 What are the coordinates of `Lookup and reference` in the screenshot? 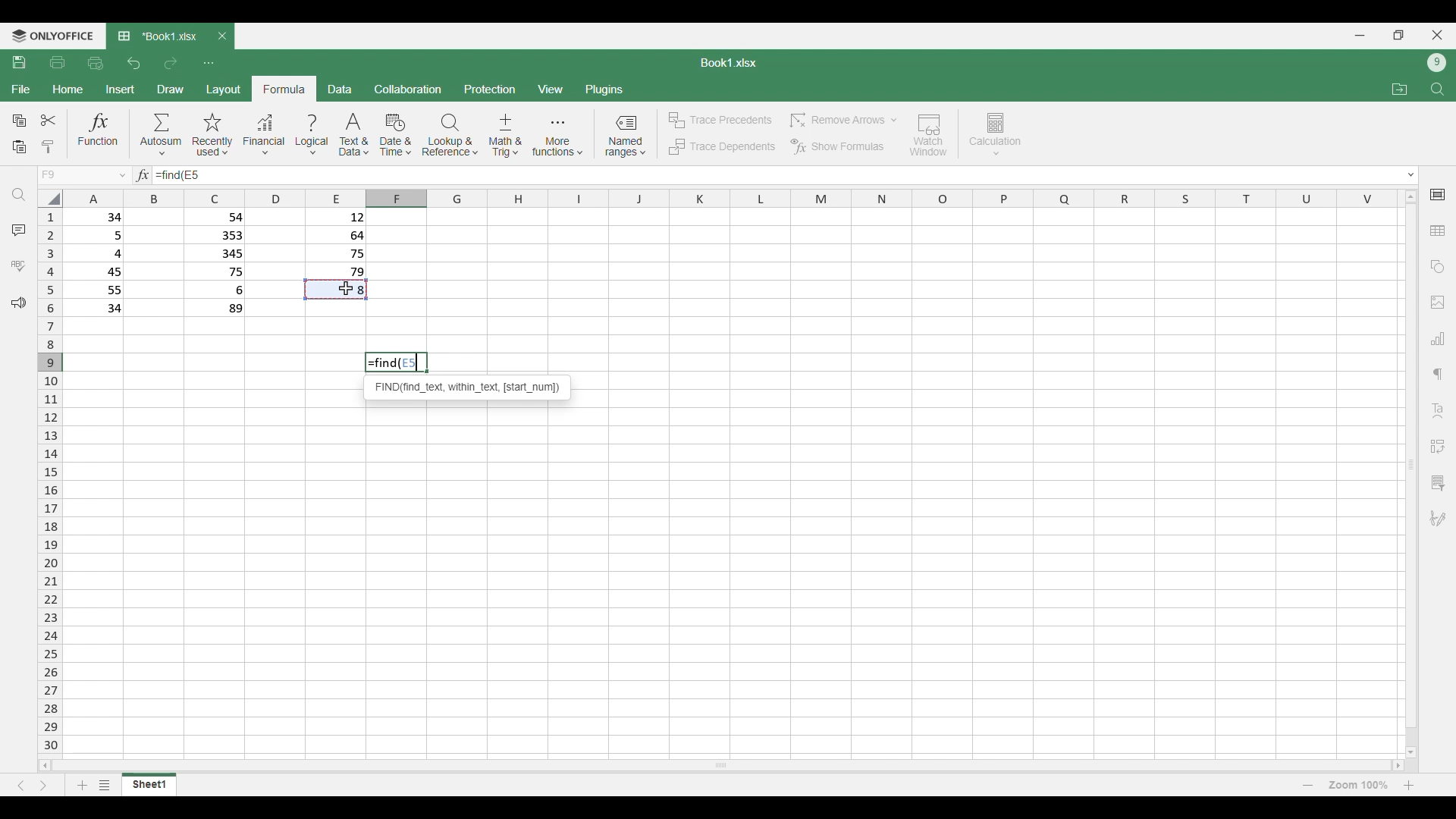 It's located at (450, 135).